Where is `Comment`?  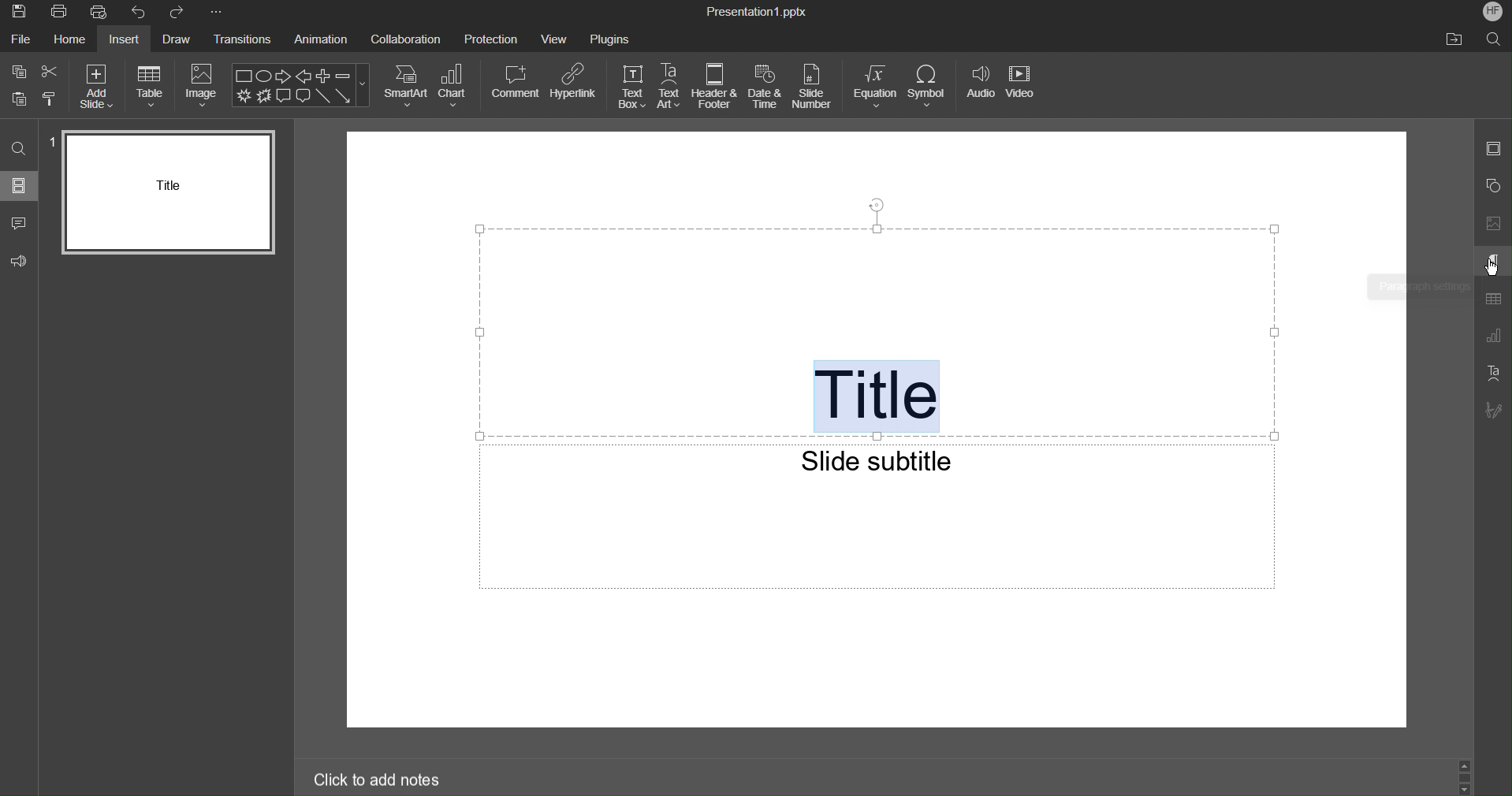
Comment is located at coordinates (515, 84).